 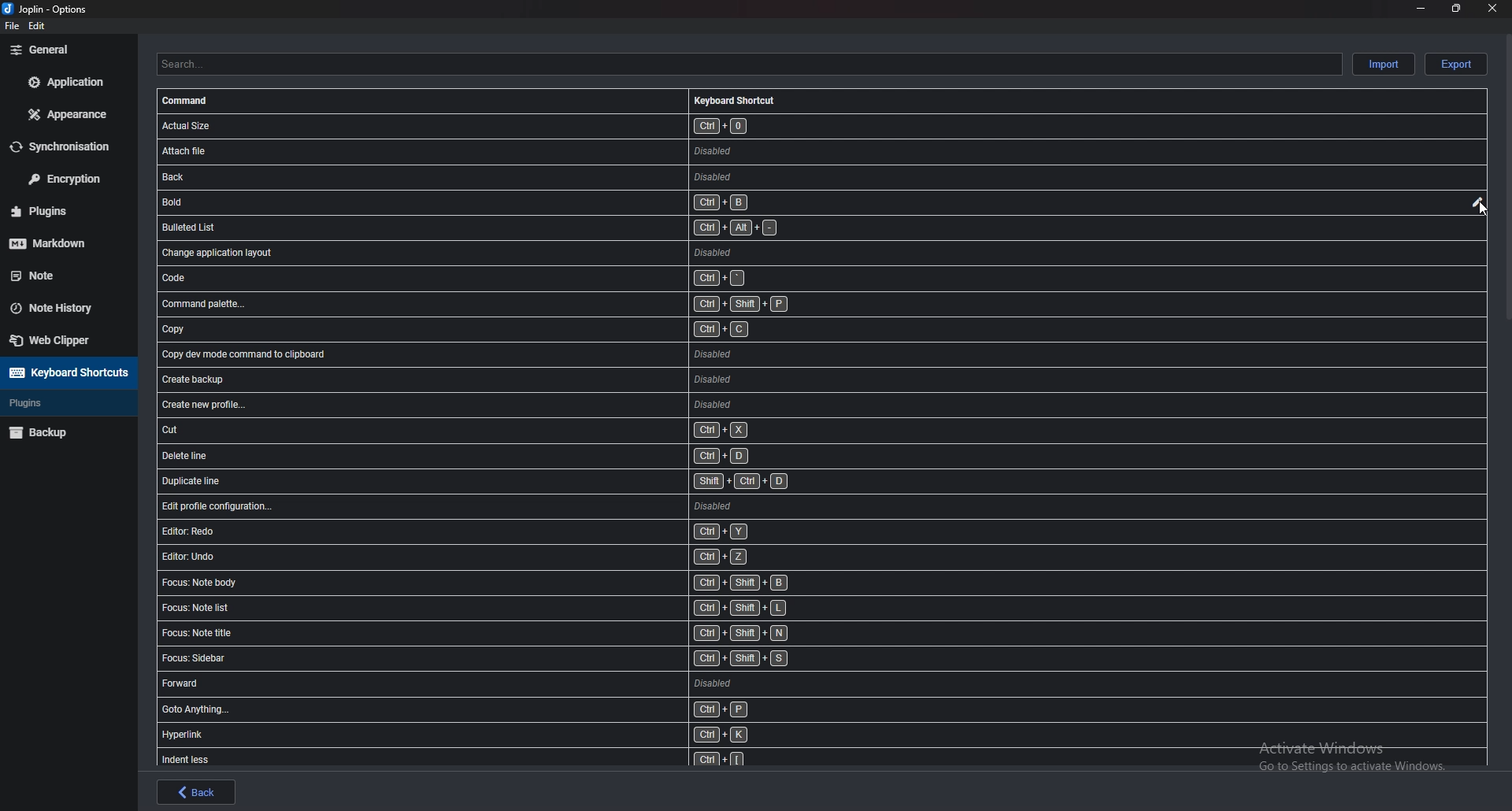 What do you see at coordinates (476, 226) in the screenshot?
I see `shortcut` at bounding box center [476, 226].